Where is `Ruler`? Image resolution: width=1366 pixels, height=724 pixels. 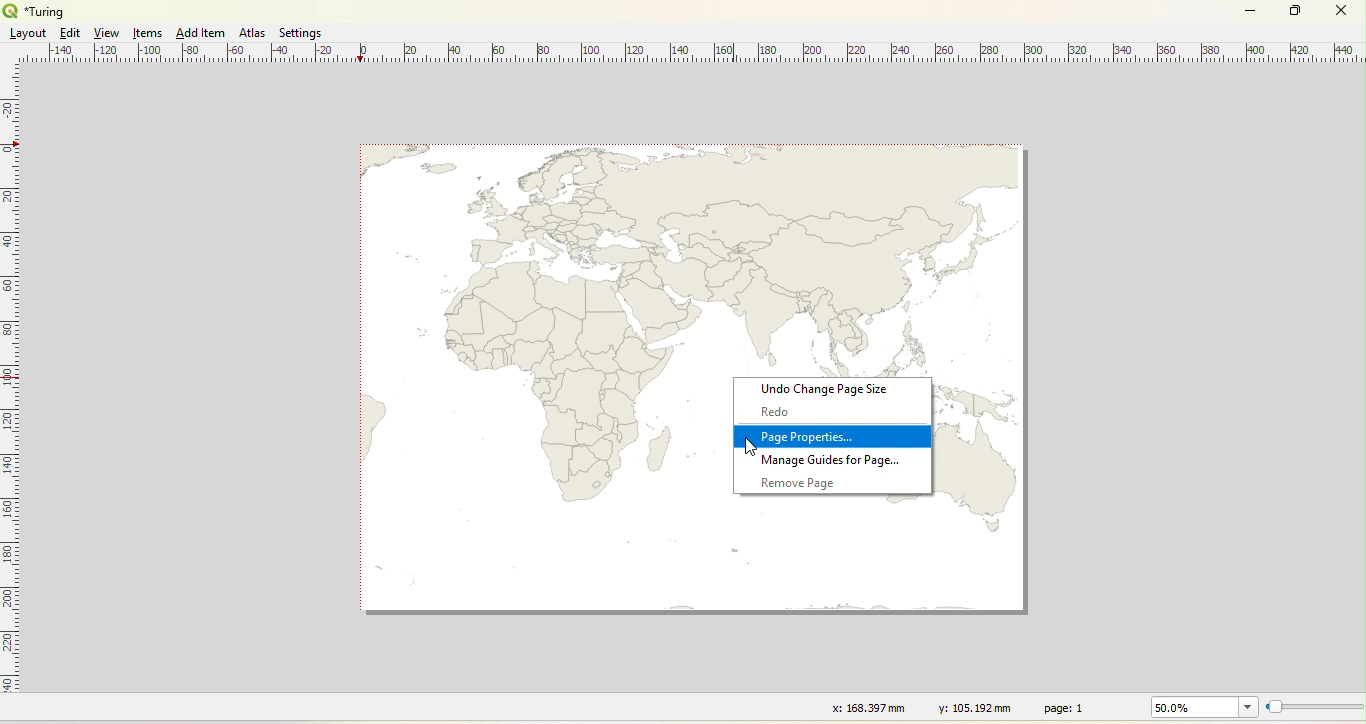 Ruler is located at coordinates (694, 54).